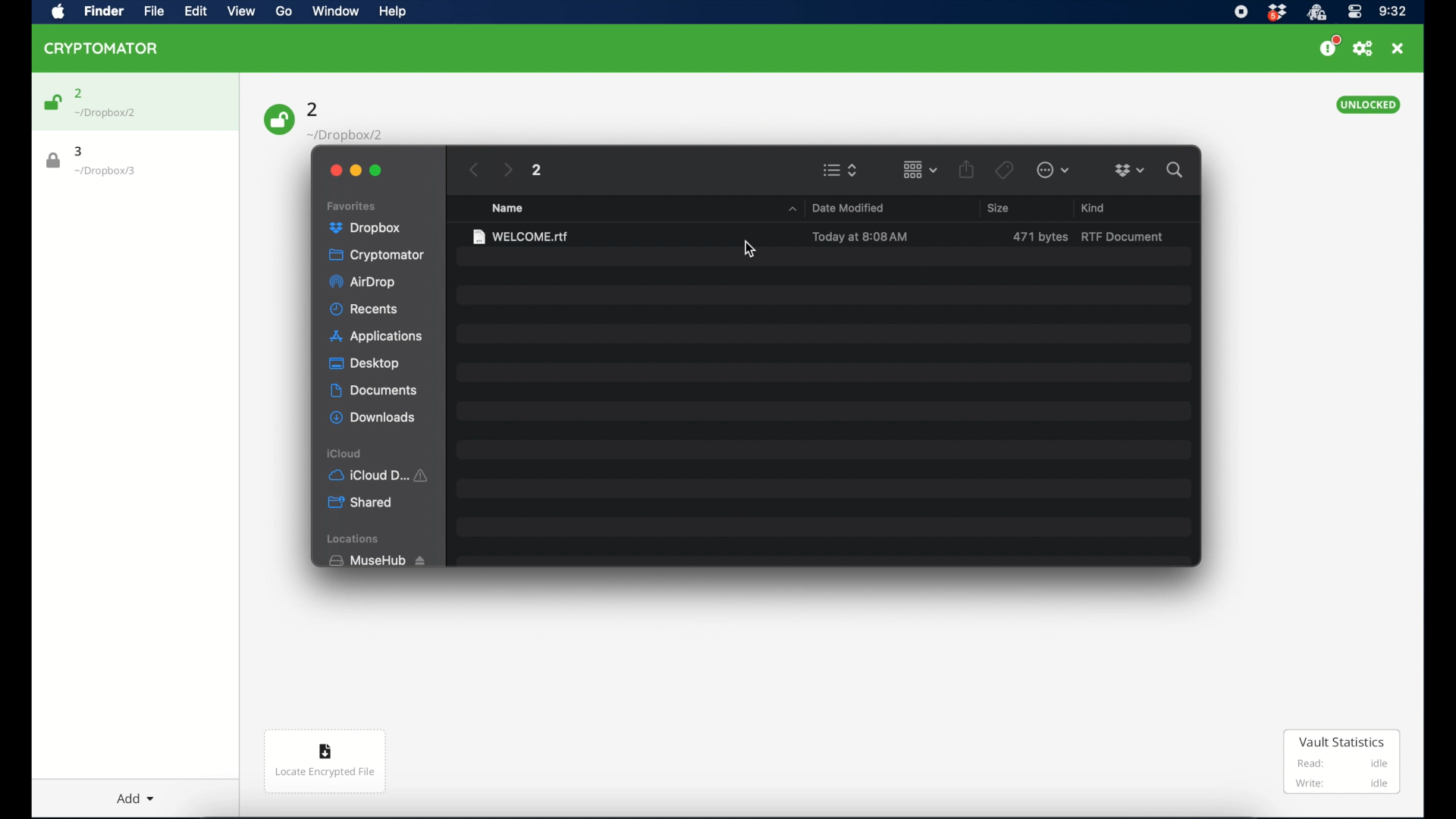 This screenshot has height=819, width=1456. Describe the element at coordinates (1367, 105) in the screenshot. I see `unlocked` at that location.